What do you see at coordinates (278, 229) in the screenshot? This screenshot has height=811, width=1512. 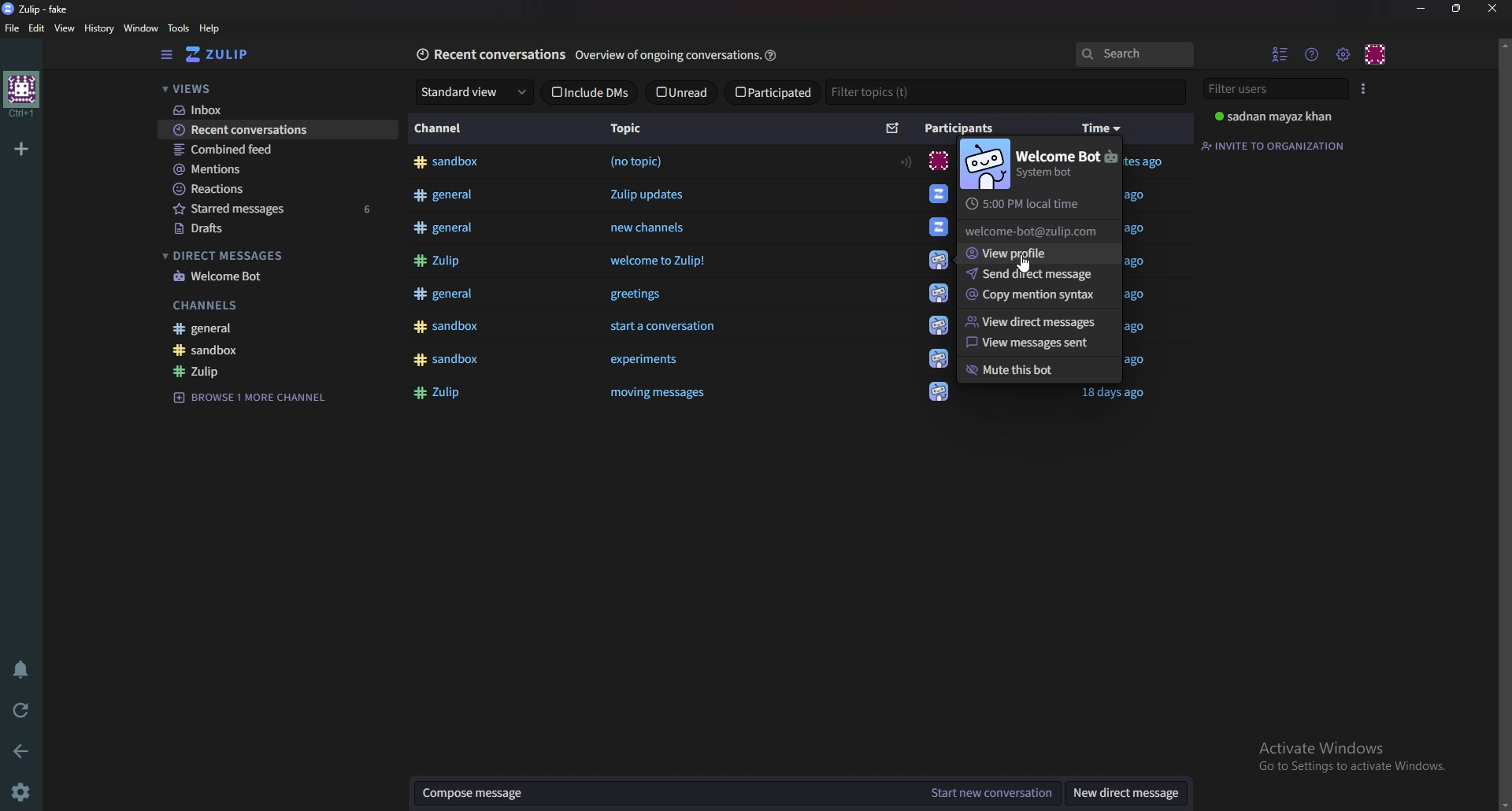 I see `Drafts` at bounding box center [278, 229].